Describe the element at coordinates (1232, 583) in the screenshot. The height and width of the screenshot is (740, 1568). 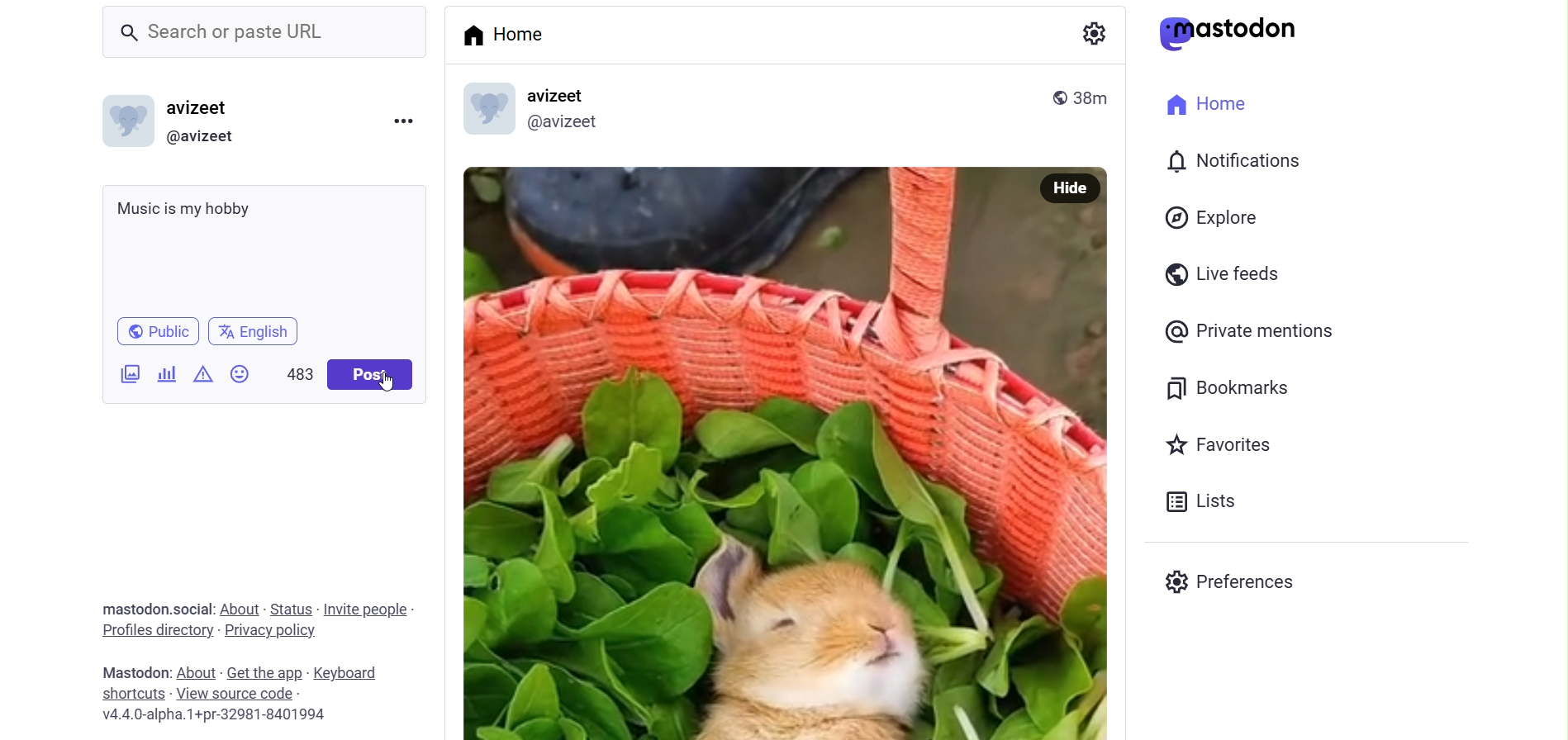
I see `Preferences` at that location.